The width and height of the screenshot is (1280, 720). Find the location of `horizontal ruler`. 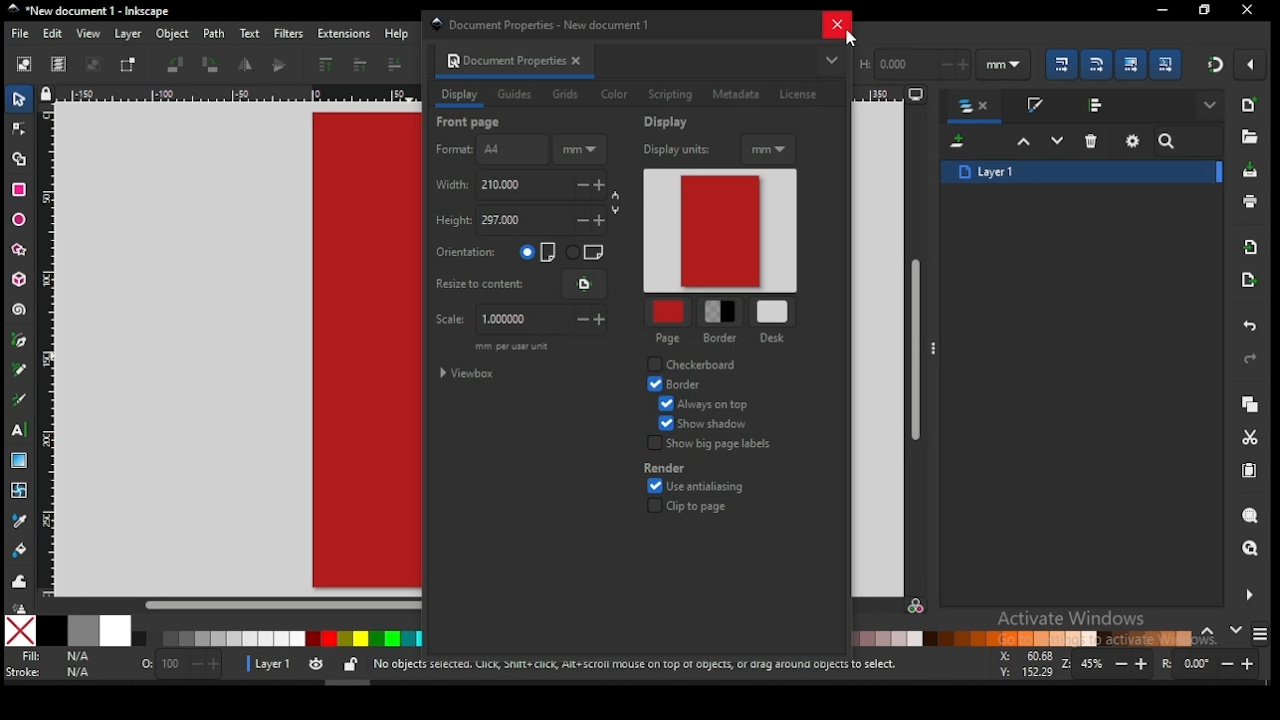

horizontal ruler is located at coordinates (236, 96).